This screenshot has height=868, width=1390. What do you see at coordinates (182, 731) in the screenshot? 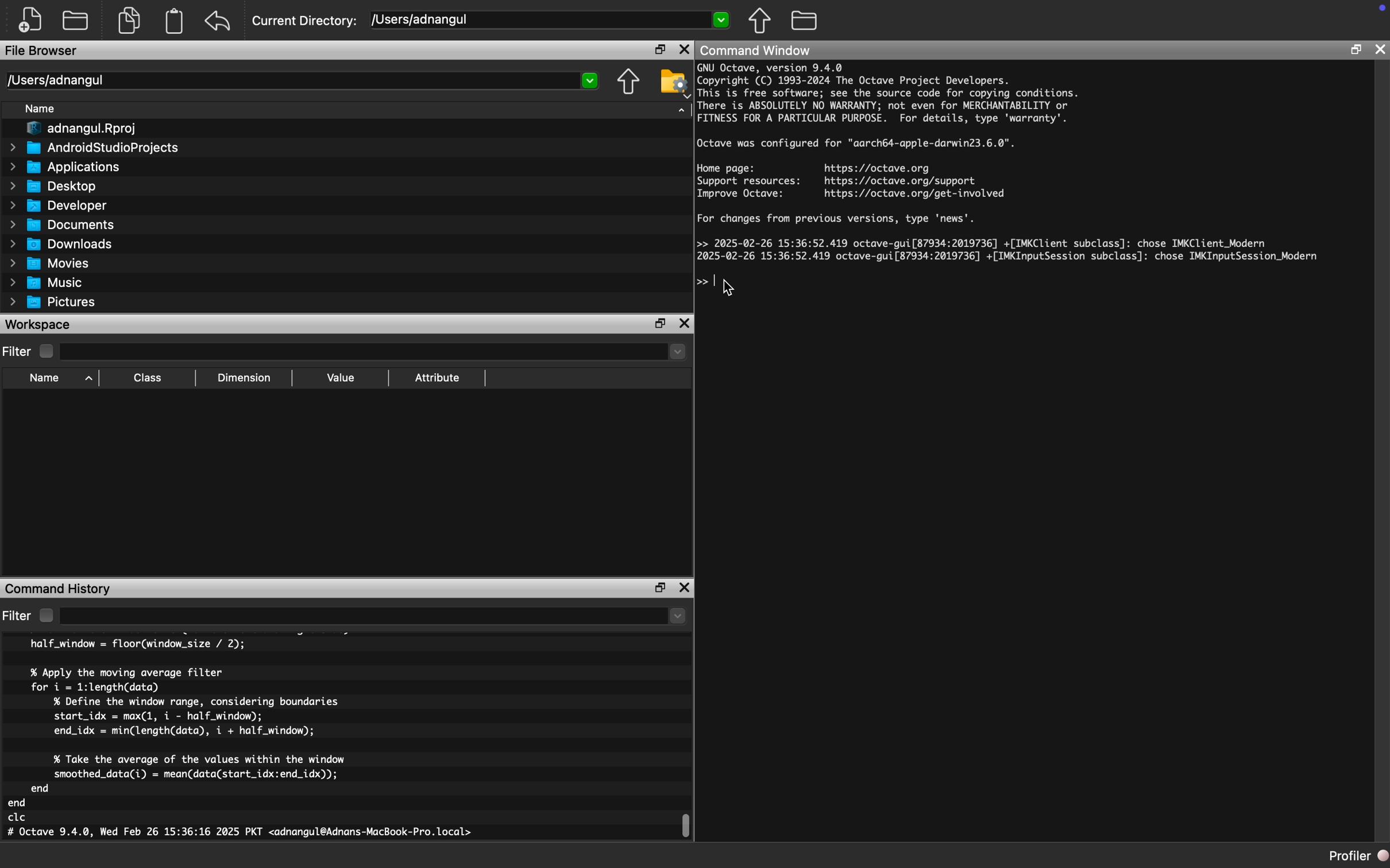
I see `half_window = floor(window_size / 2);
% Apply the moving average filter
for i = 1:length(data)
% Define the window range, considering boundaries
start_idx = max(1, i - half_window);
end_idx = min(length(data), i + half_window);
% Take the average of the values within the window
smoothed_data(i) = mean(data(start_idx:end_idx));
end
end
cle` at bounding box center [182, 731].